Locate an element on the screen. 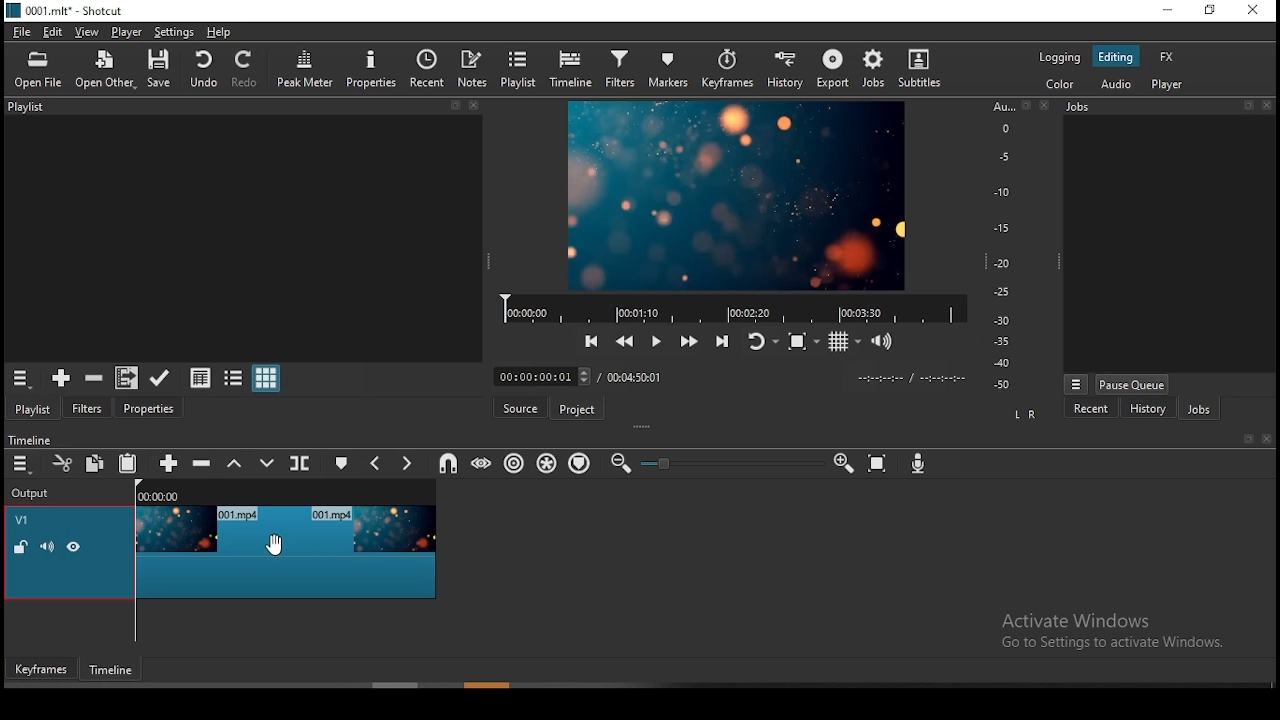 The image size is (1280, 720). view as icons is located at coordinates (267, 378).